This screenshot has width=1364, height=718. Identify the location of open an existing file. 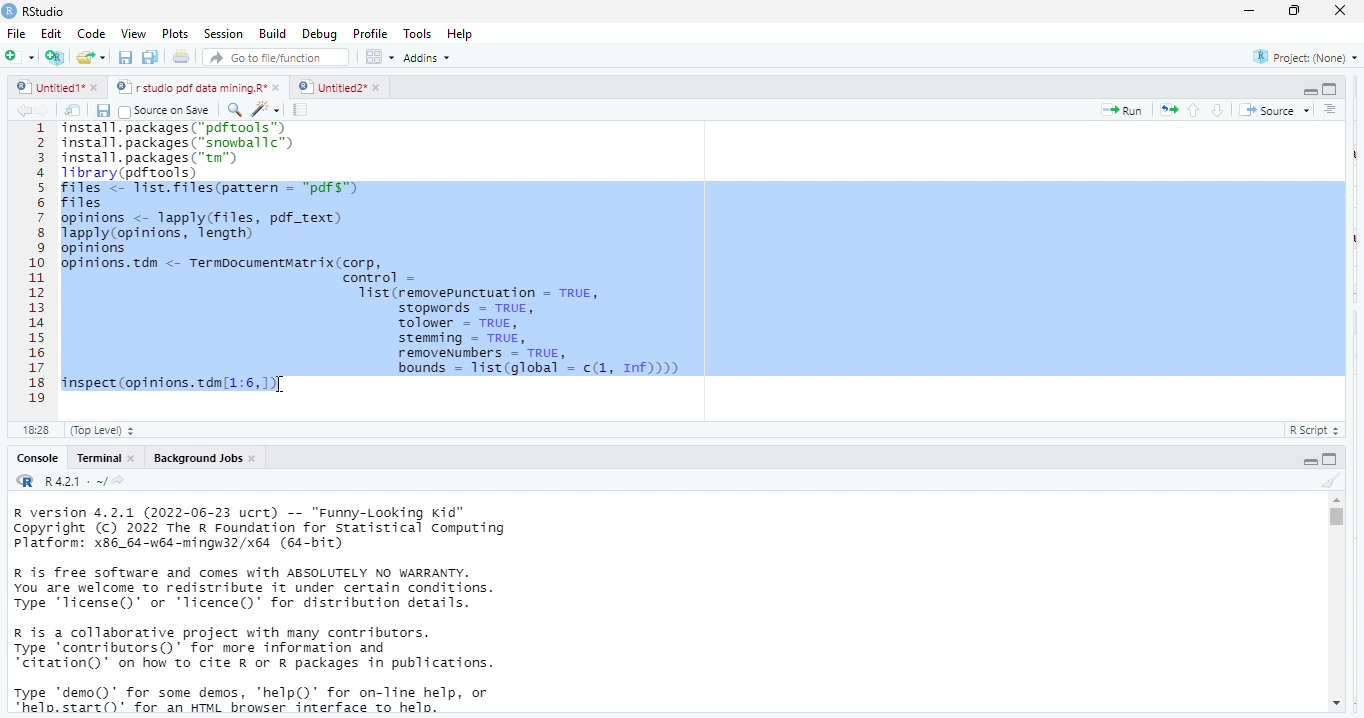
(92, 59).